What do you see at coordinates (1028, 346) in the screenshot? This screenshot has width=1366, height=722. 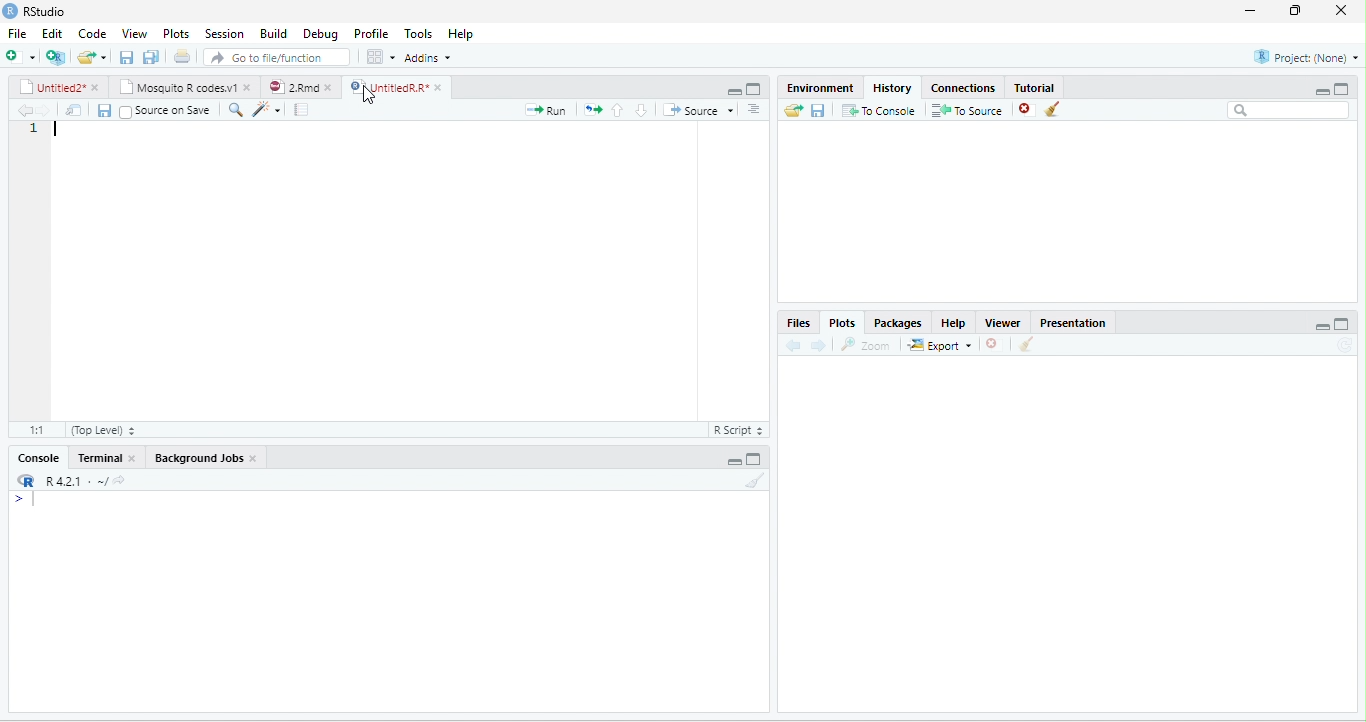 I see `CLEAN` at bounding box center [1028, 346].